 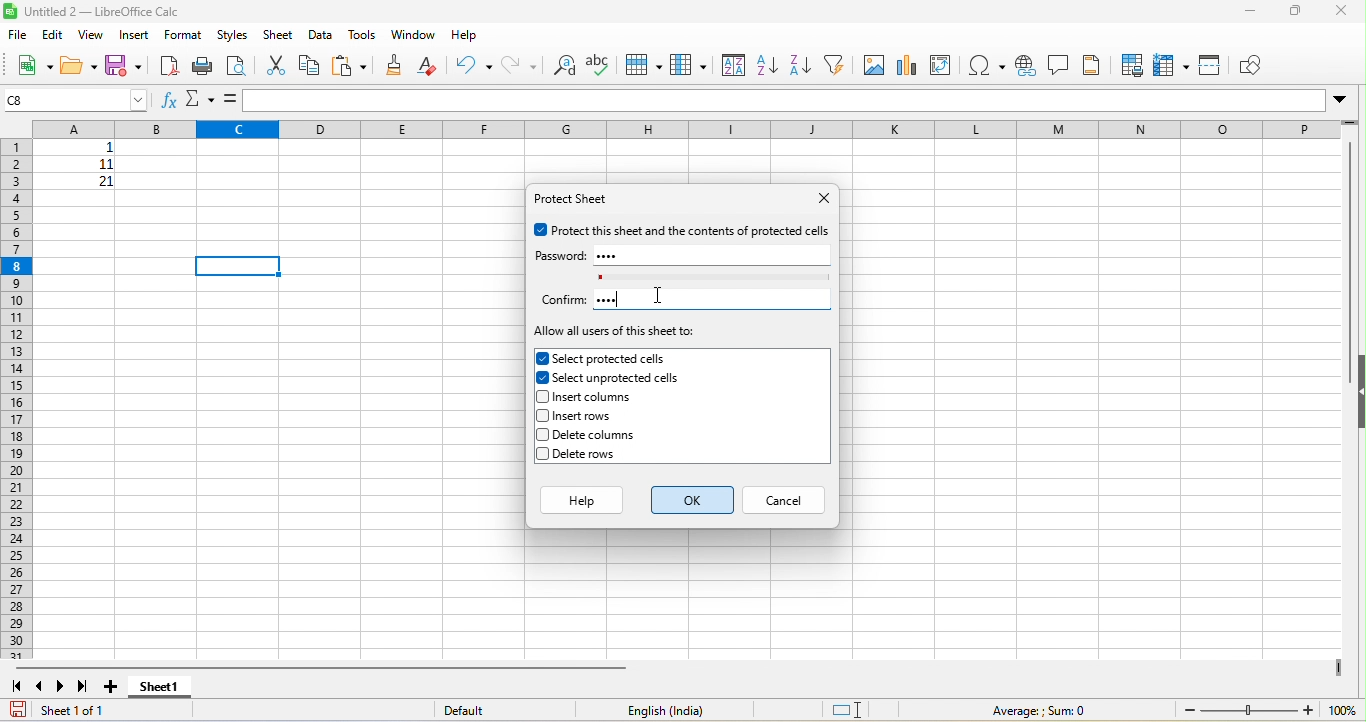 What do you see at coordinates (561, 256) in the screenshot?
I see `password` at bounding box center [561, 256].